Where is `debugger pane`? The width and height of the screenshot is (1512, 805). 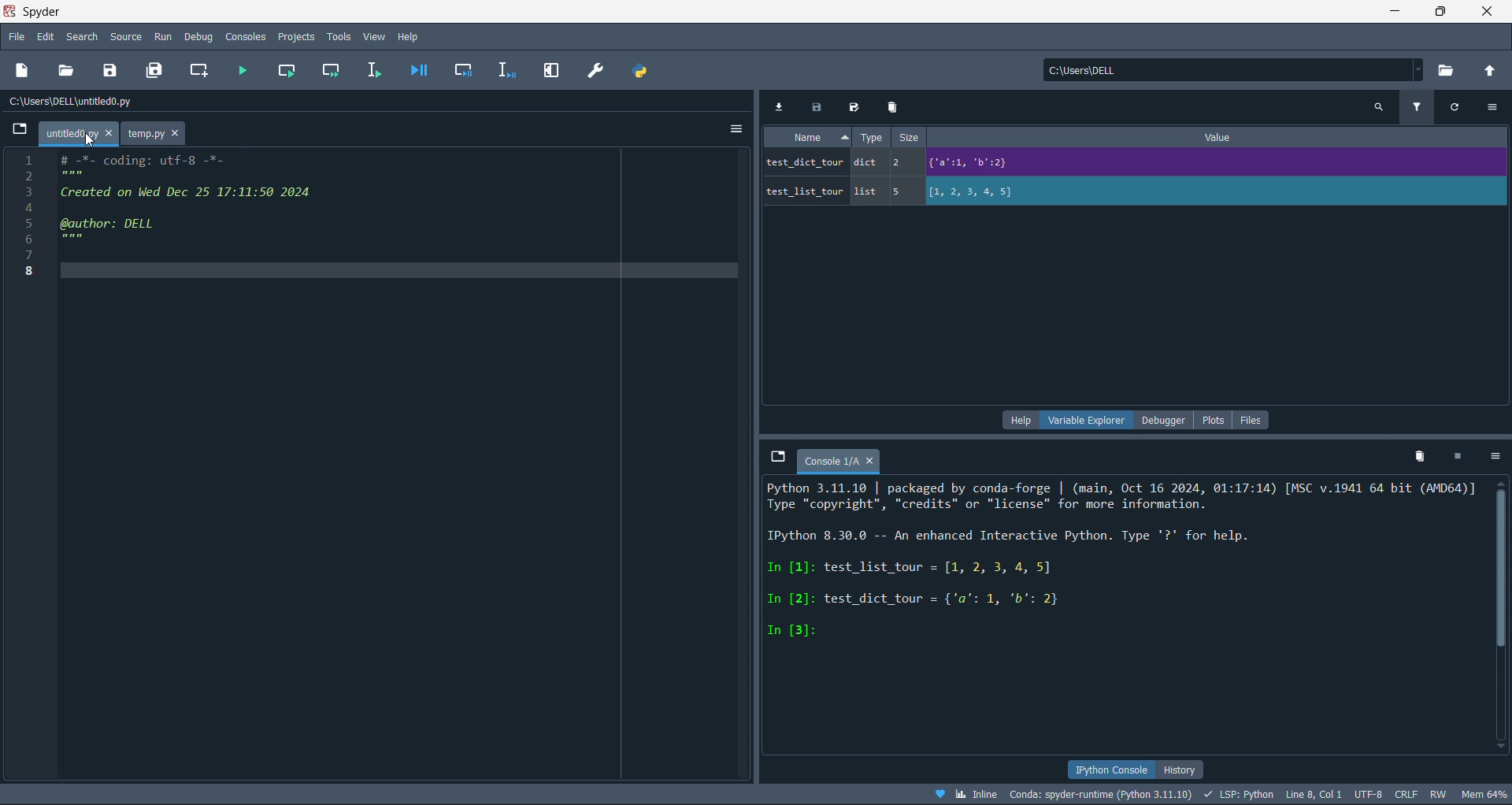 debugger pane is located at coordinates (1169, 421).